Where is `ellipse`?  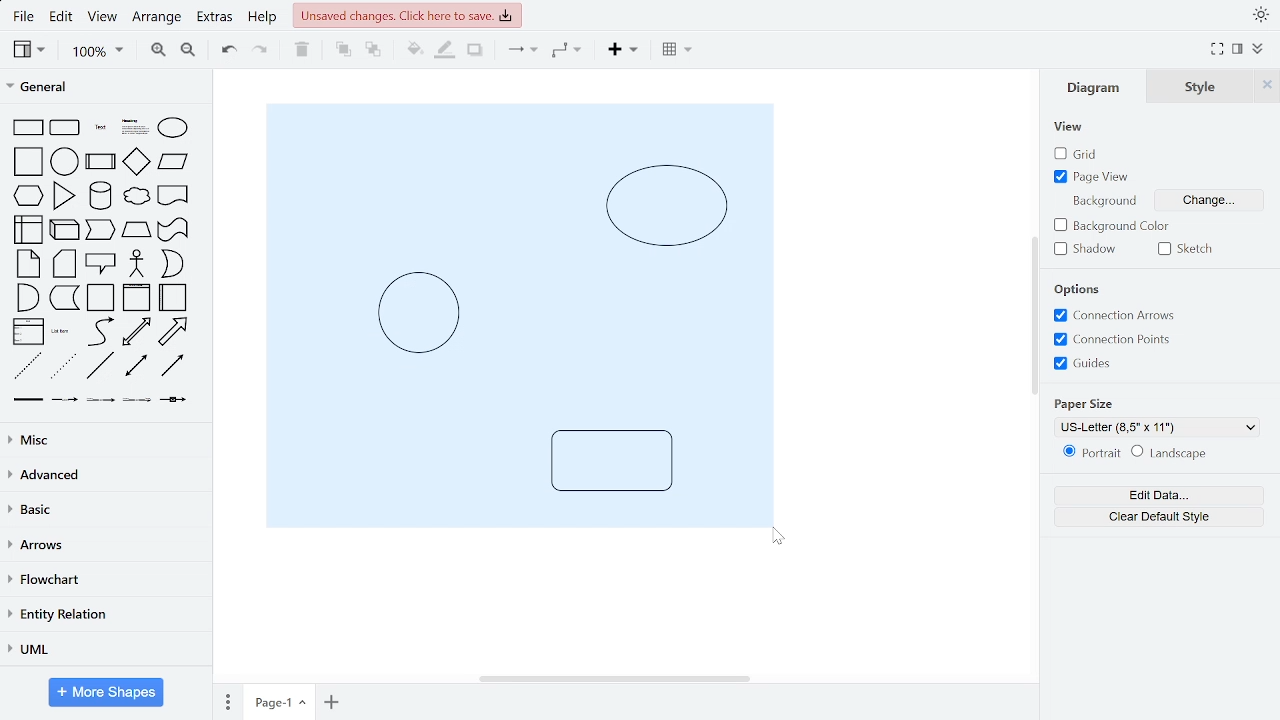 ellipse is located at coordinates (172, 128).